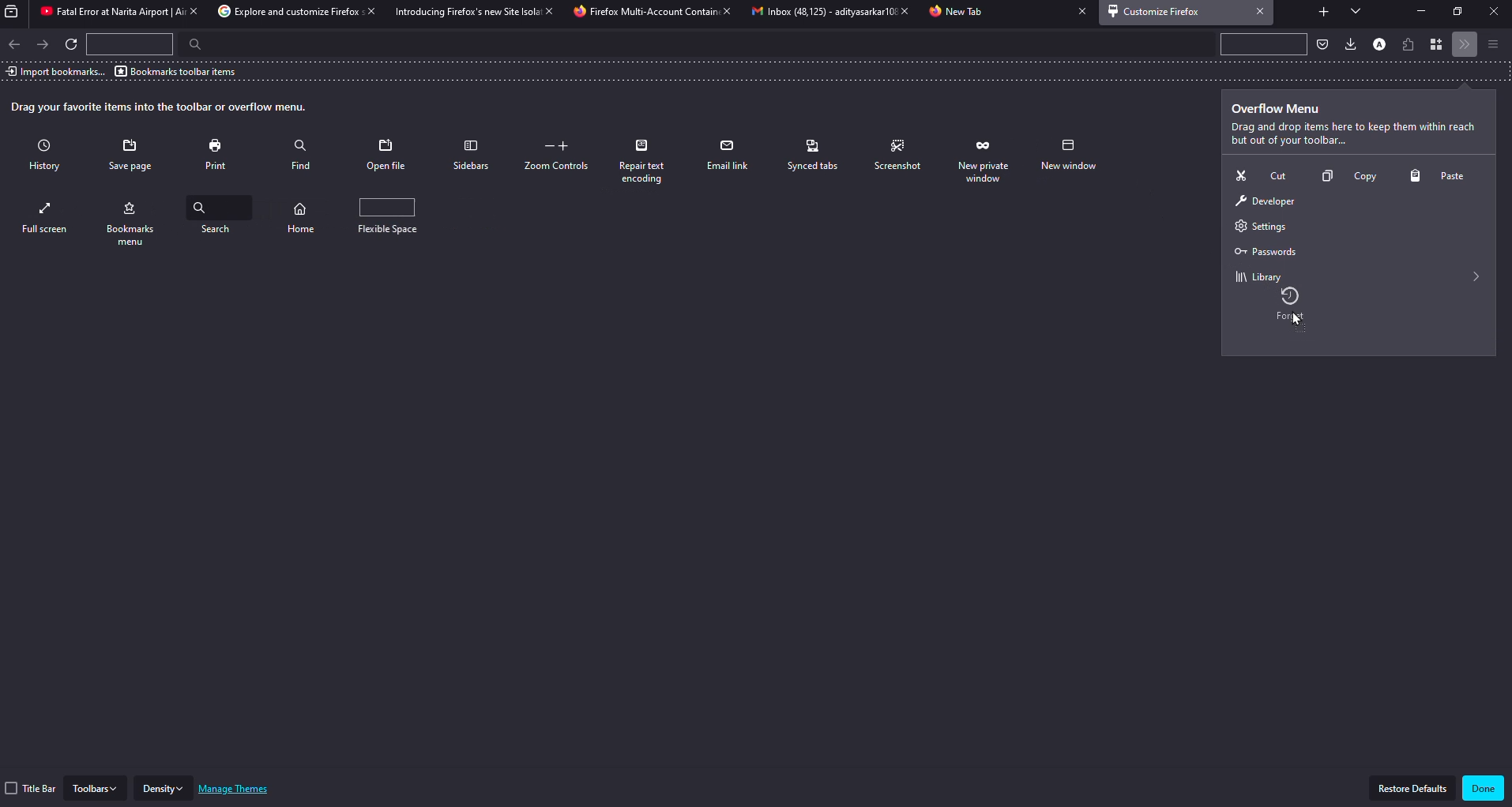 This screenshot has height=807, width=1512. I want to click on customize, so click(1158, 11).